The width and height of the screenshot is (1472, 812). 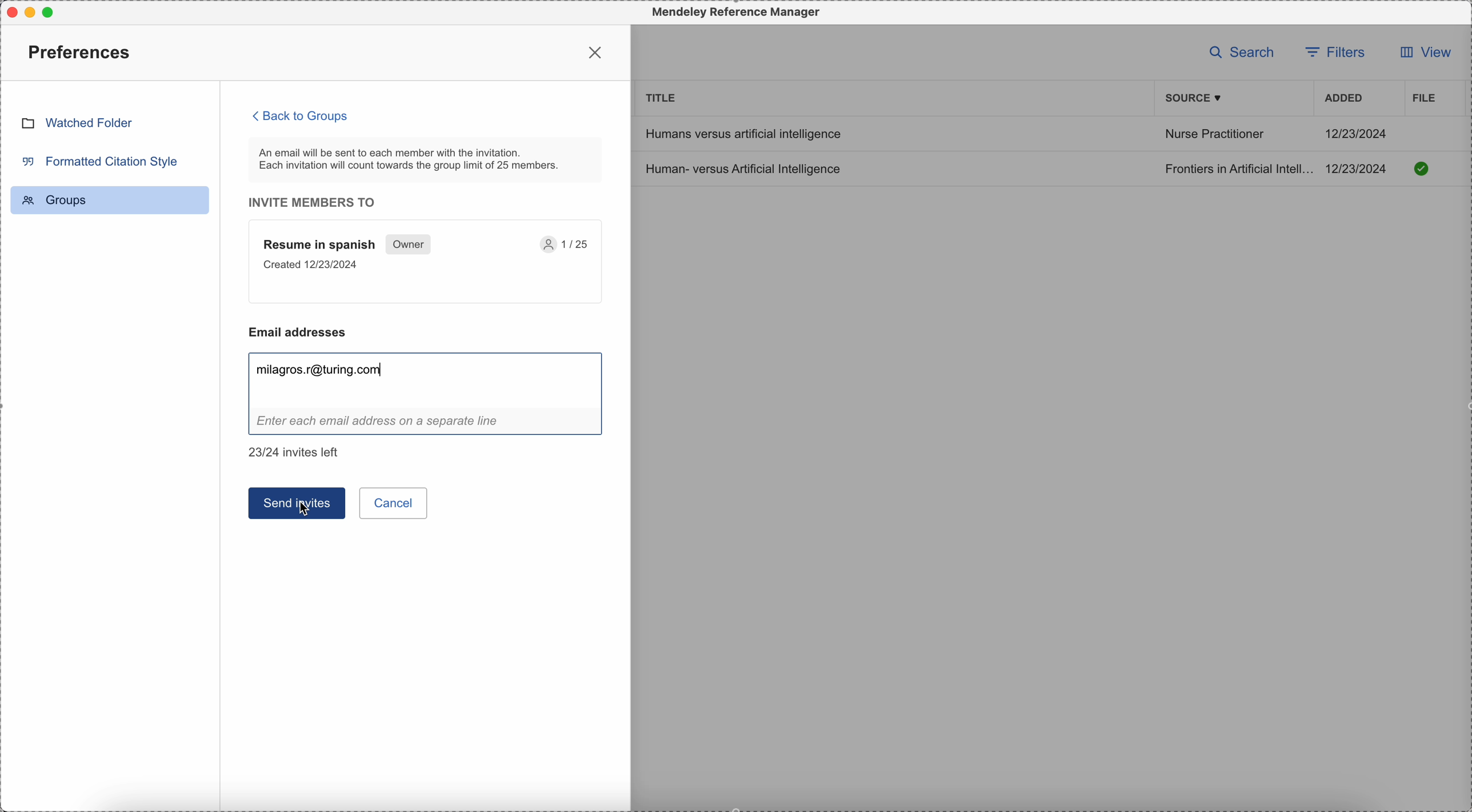 What do you see at coordinates (746, 168) in the screenshot?
I see `Human- versus Artificial Intelligence` at bounding box center [746, 168].